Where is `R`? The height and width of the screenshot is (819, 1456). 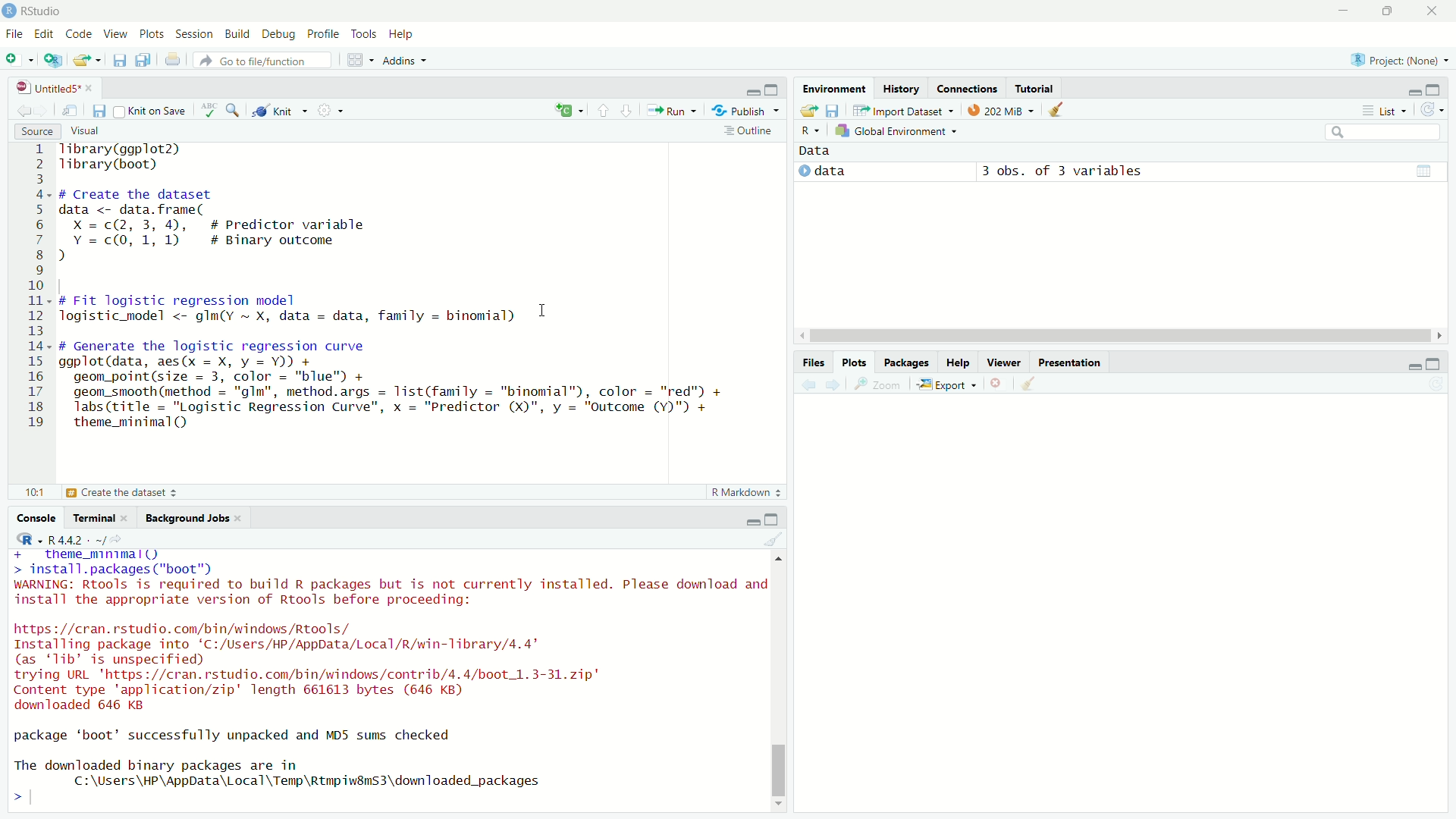
R is located at coordinates (30, 539).